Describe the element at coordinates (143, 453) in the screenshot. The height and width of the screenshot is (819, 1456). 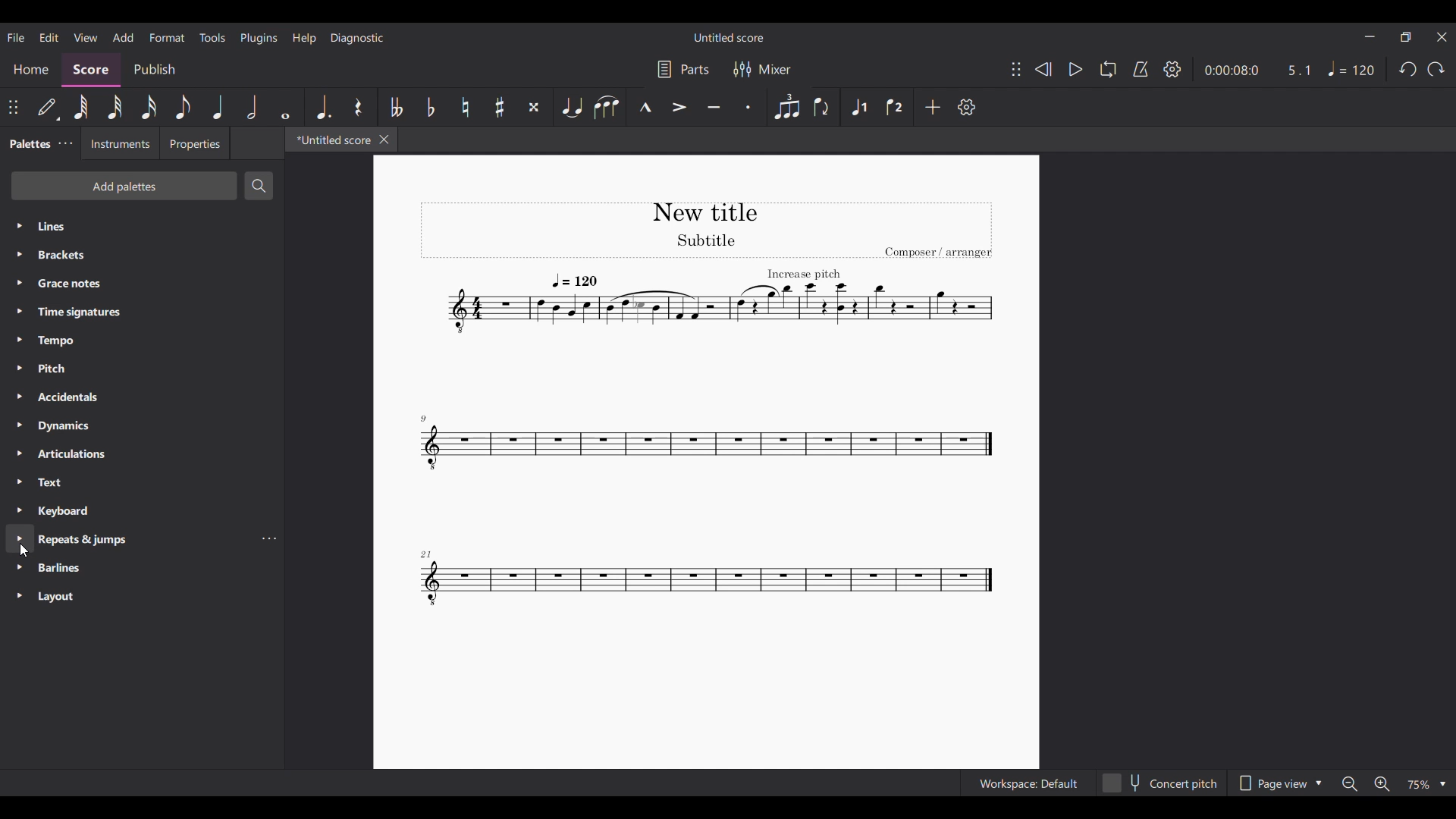
I see `Articulations` at that location.